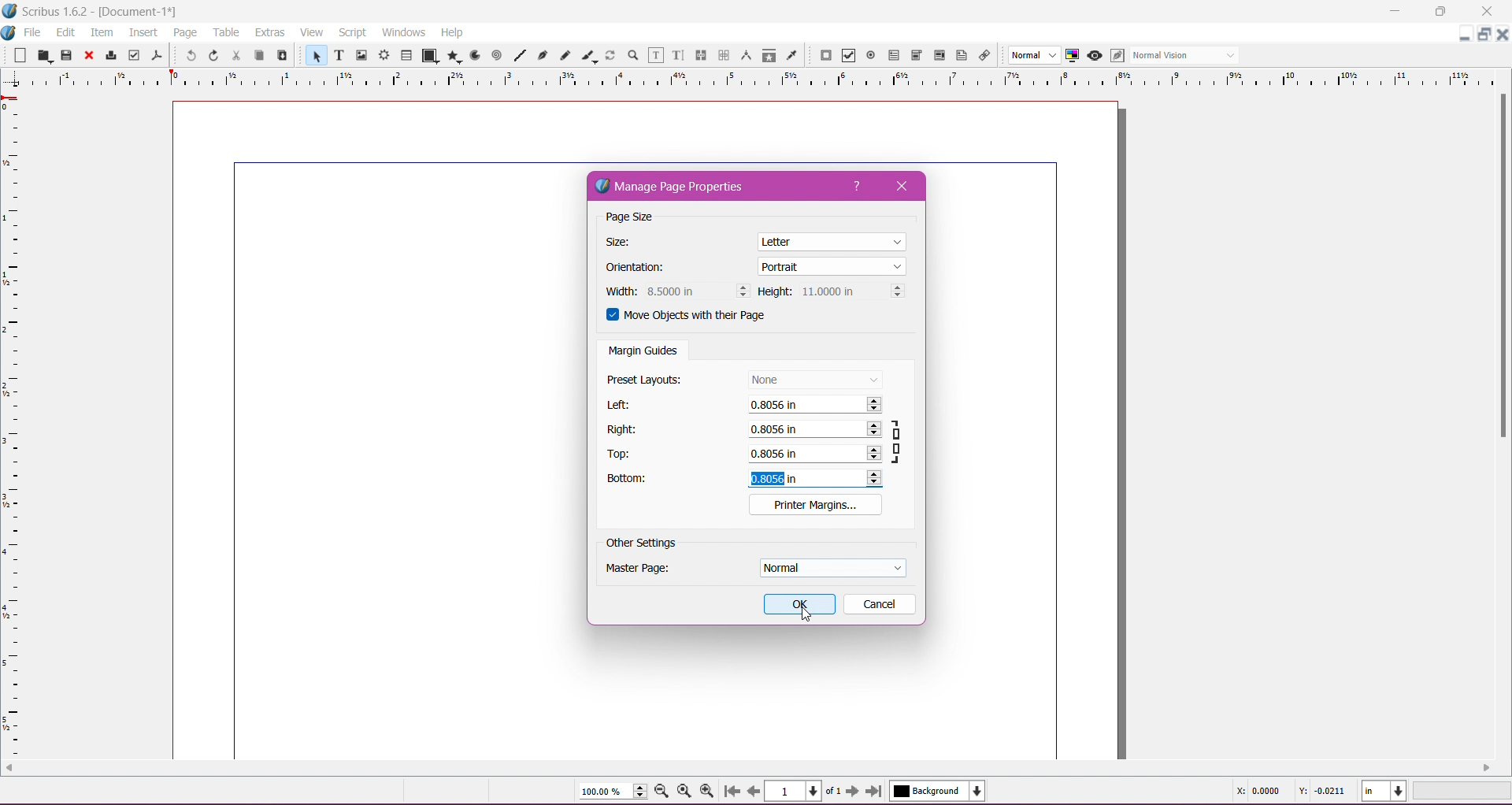 Image resolution: width=1512 pixels, height=805 pixels. I want to click on Go to previous page, so click(754, 791).